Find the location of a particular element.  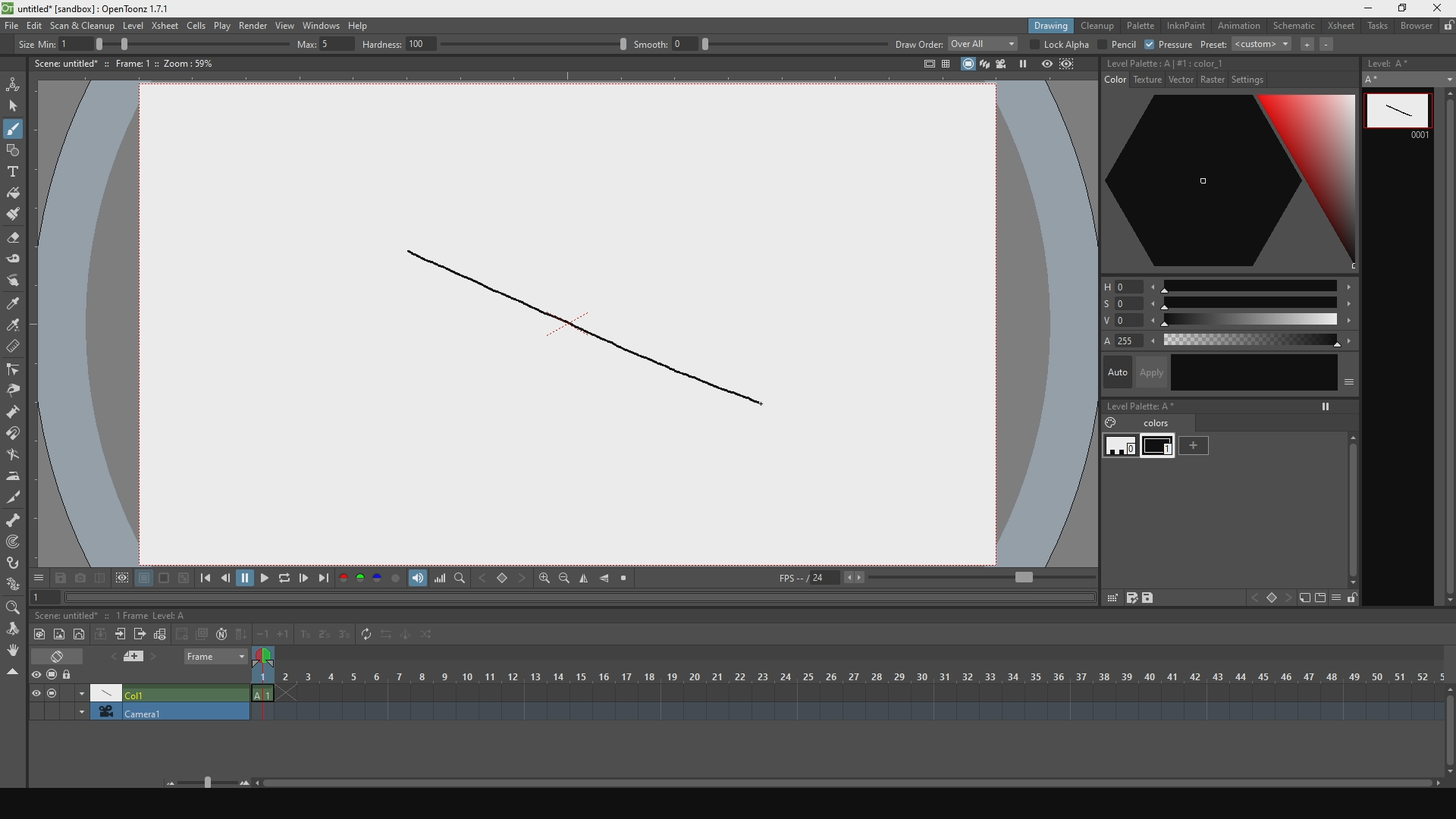

line is located at coordinates (1397, 118).